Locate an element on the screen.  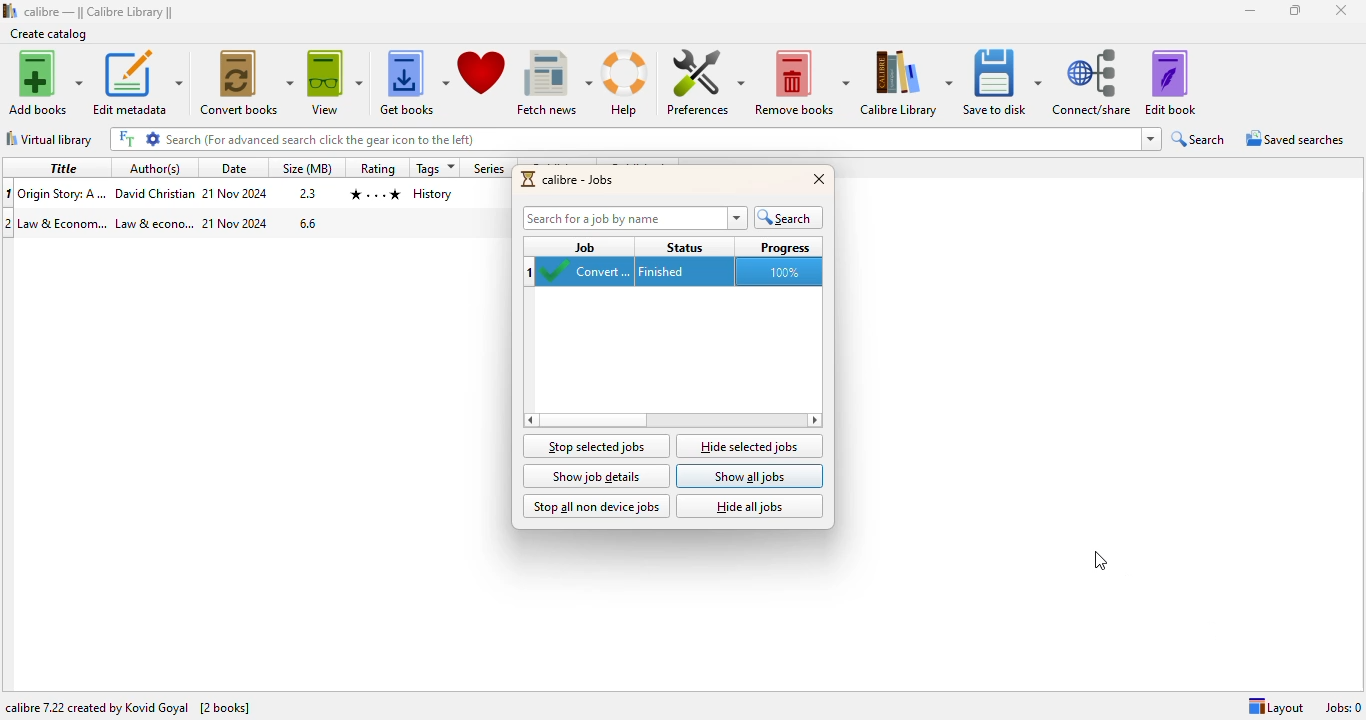
fetch news is located at coordinates (555, 83).